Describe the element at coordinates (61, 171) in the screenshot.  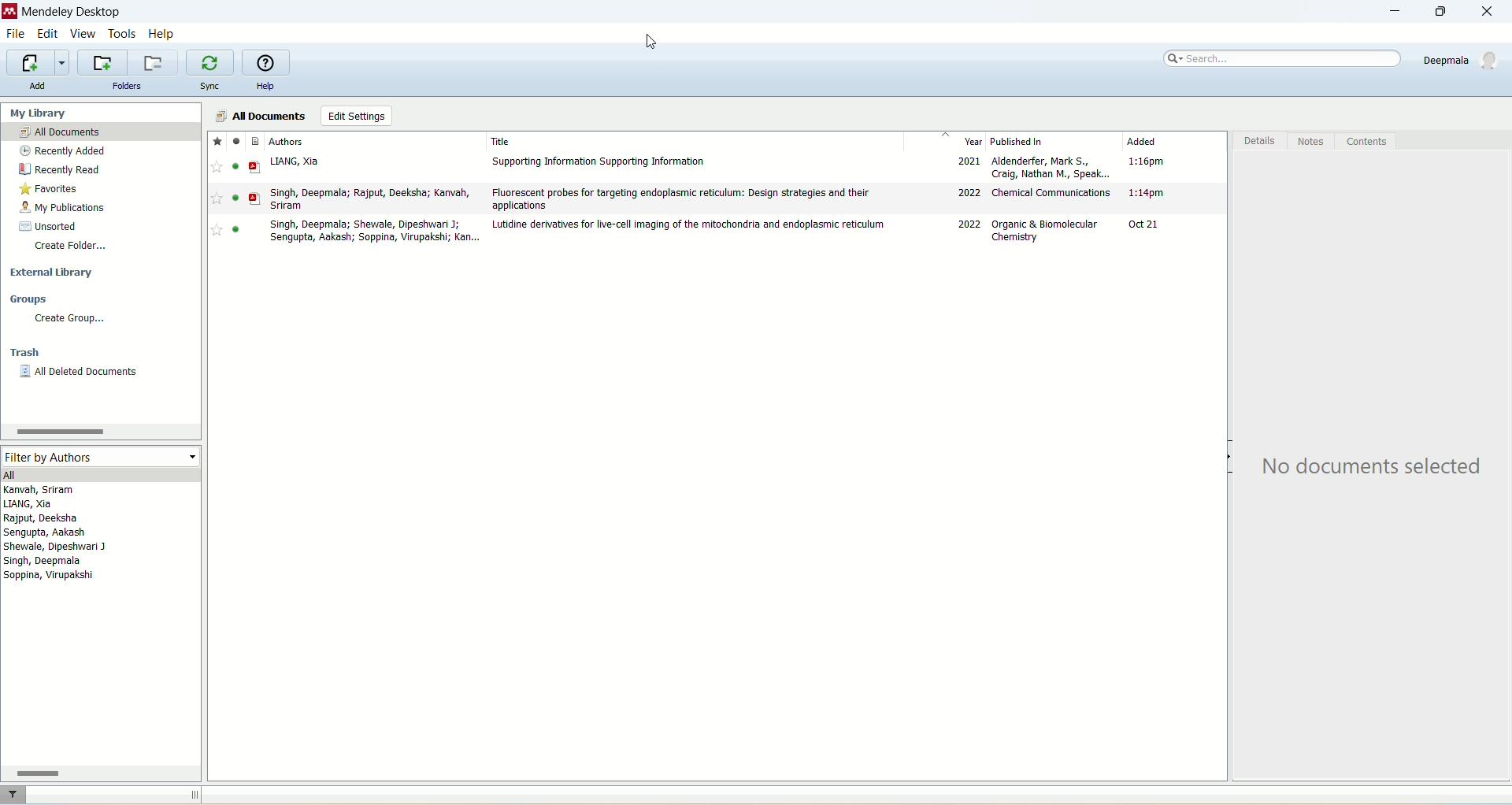
I see `recently read` at that location.